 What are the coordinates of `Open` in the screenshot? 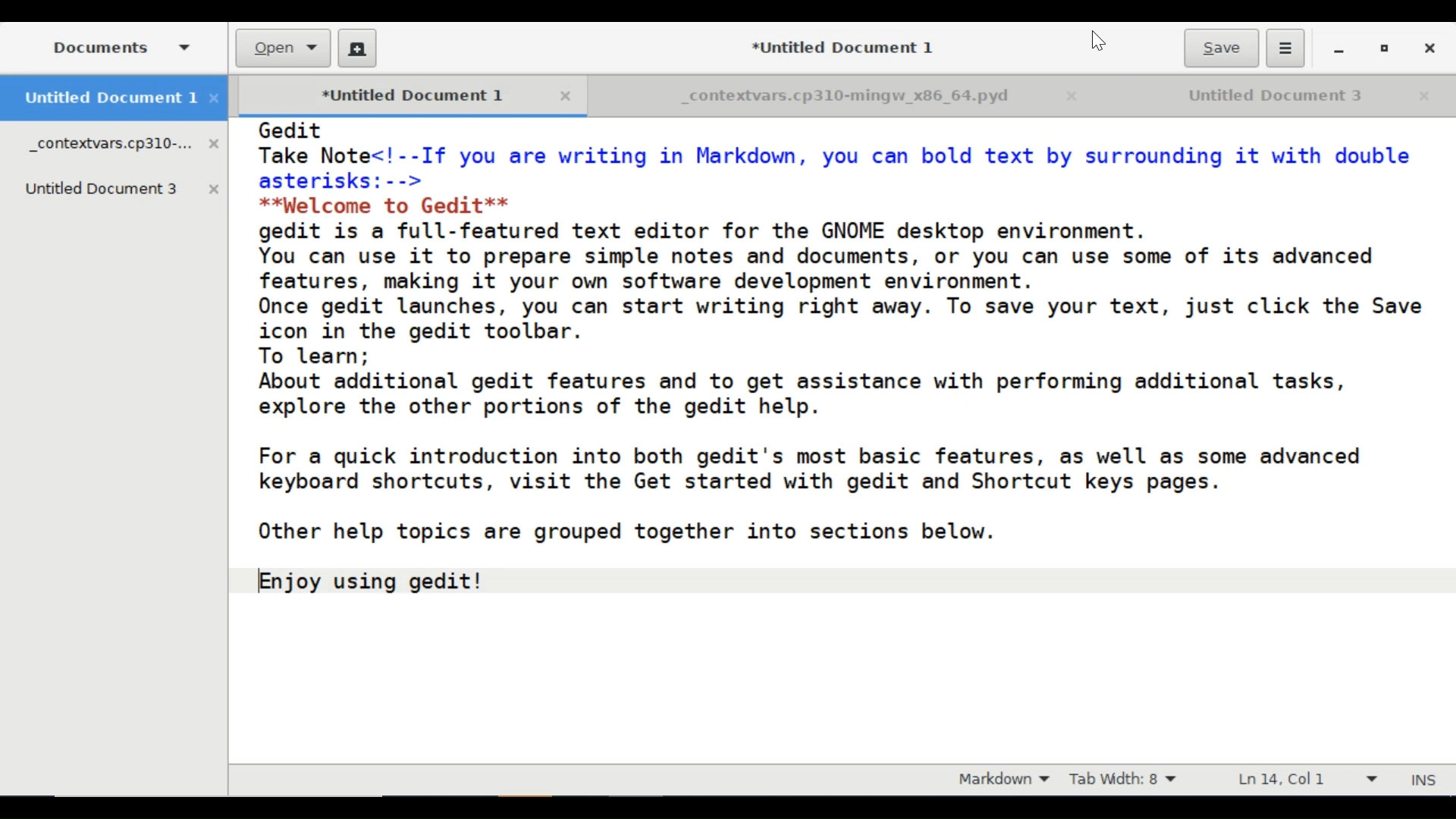 It's located at (284, 49).